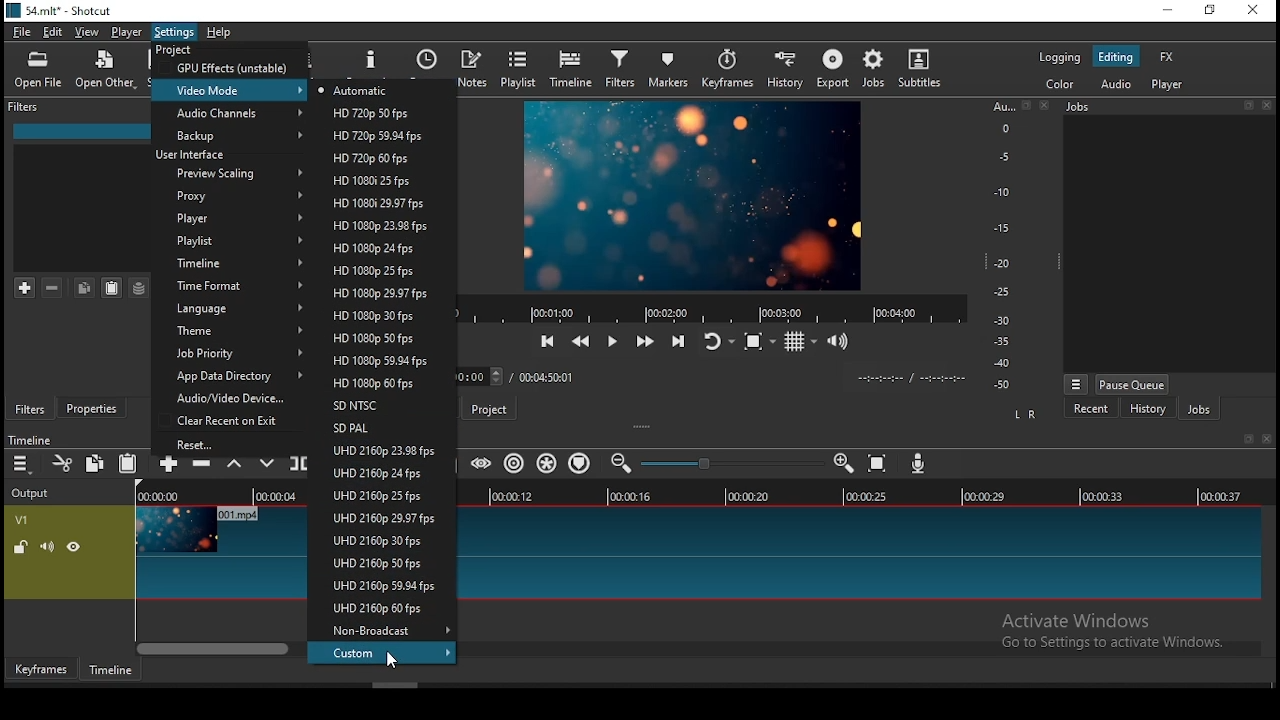 This screenshot has width=1280, height=720. Describe the element at coordinates (1002, 293) in the screenshot. I see `-25` at that location.